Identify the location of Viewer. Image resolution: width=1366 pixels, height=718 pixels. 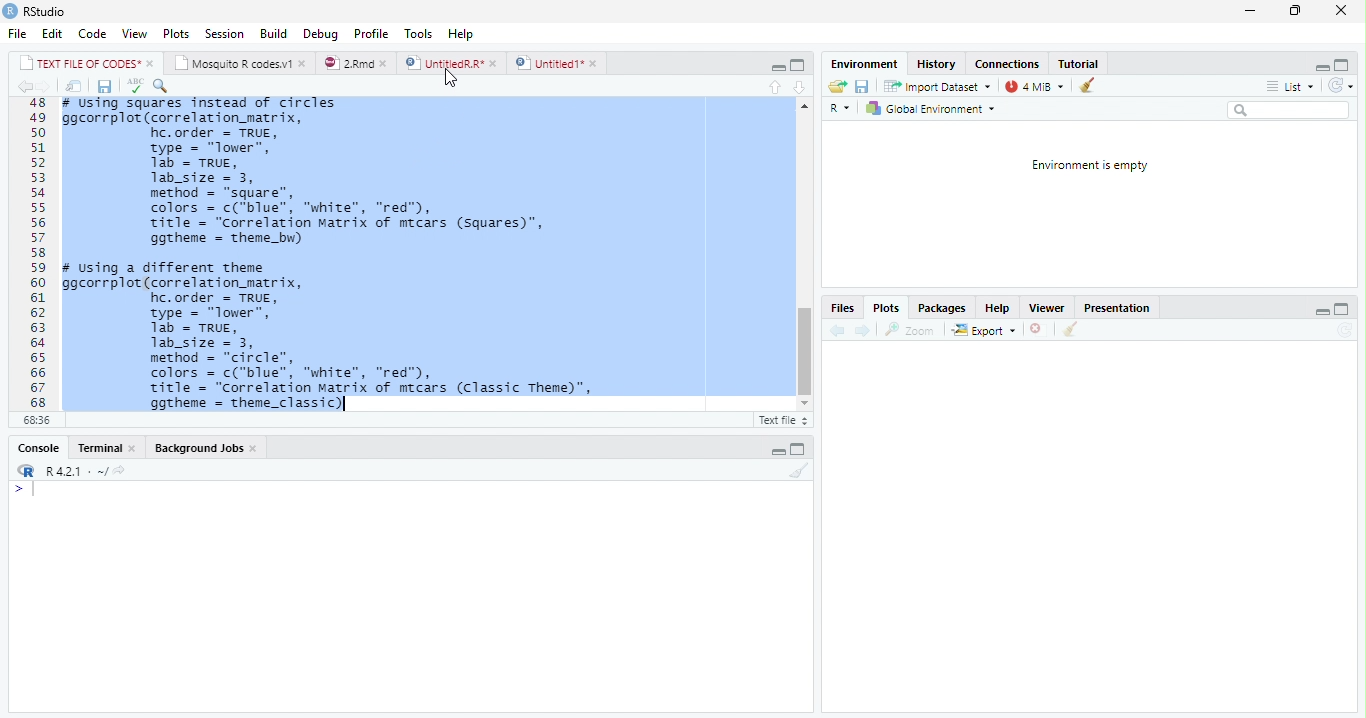
(1048, 308).